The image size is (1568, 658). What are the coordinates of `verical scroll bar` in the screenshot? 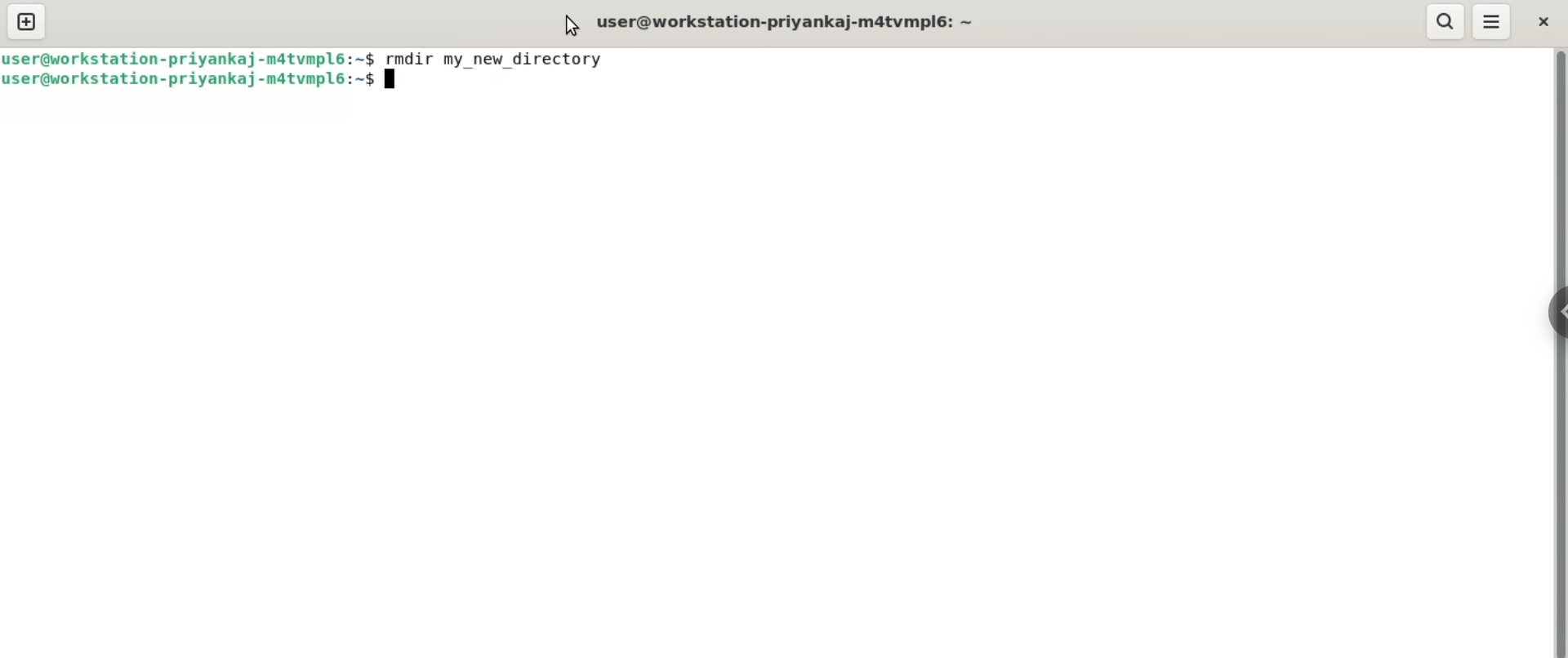 It's located at (1558, 351).